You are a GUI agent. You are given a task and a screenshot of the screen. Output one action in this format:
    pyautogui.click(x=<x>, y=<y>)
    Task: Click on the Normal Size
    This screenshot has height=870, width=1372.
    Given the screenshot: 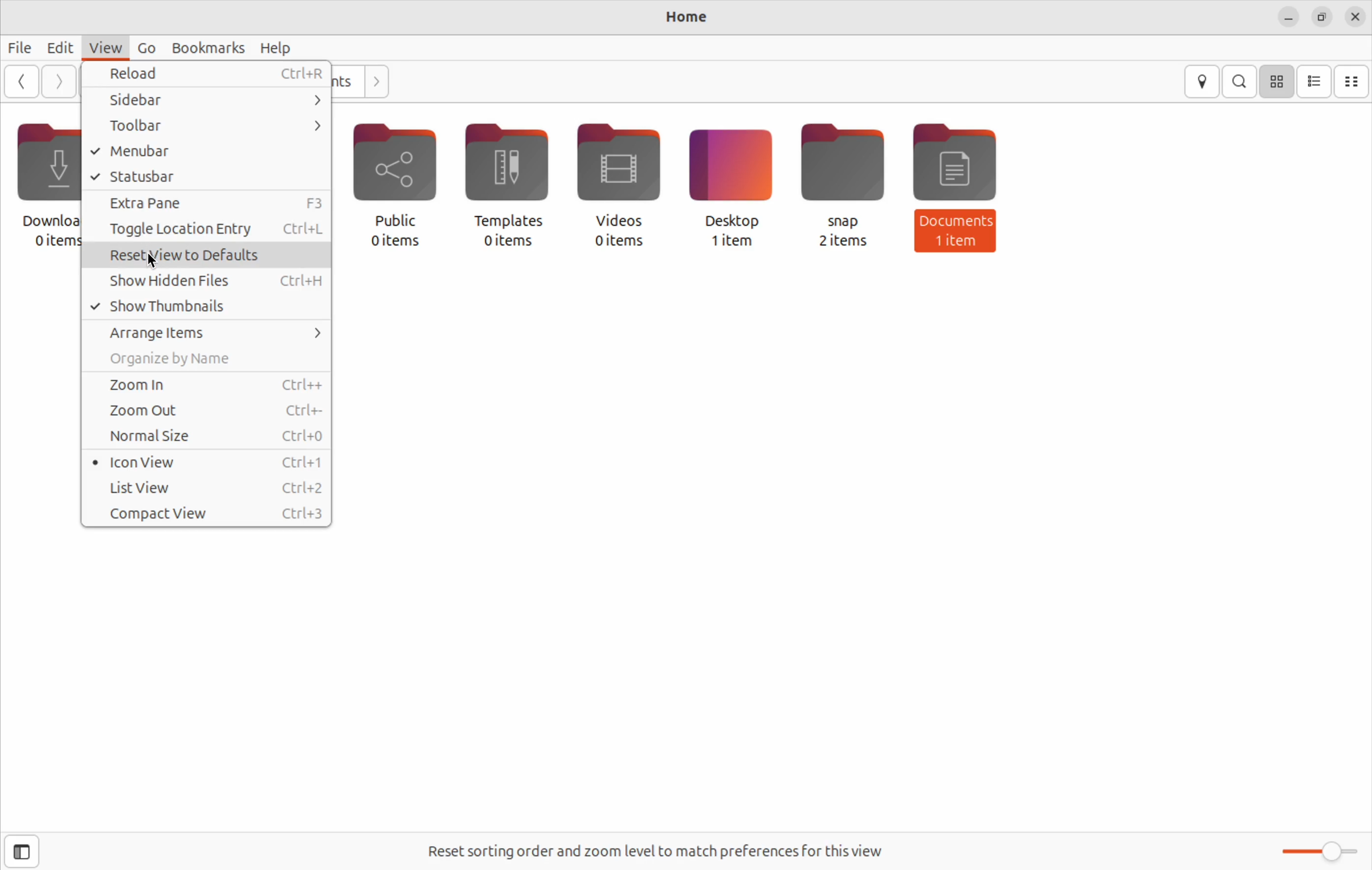 What is the action you would take?
    pyautogui.click(x=207, y=439)
    